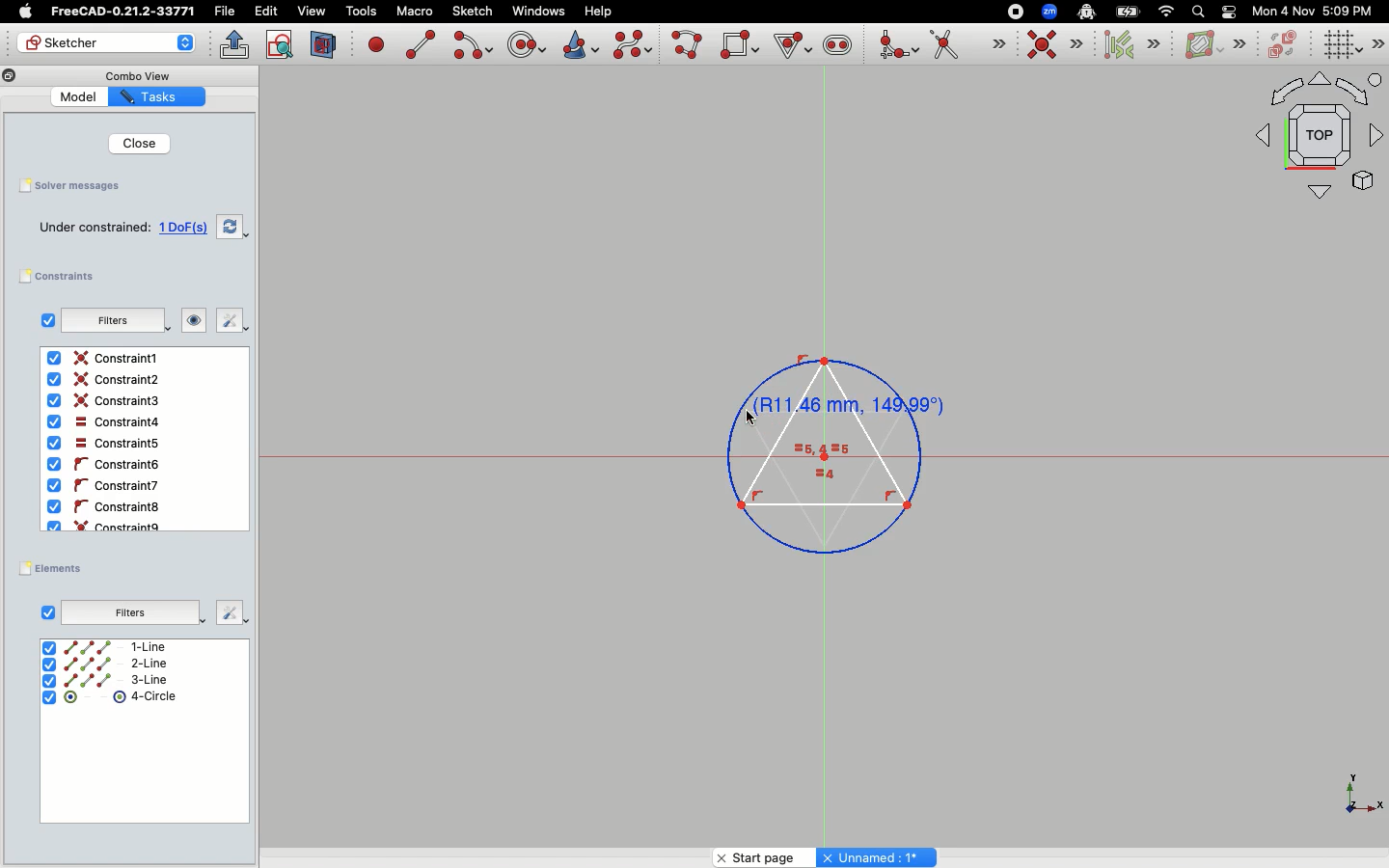 This screenshot has height=868, width=1389. What do you see at coordinates (1350, 795) in the screenshot?
I see `X Y Z` at bounding box center [1350, 795].